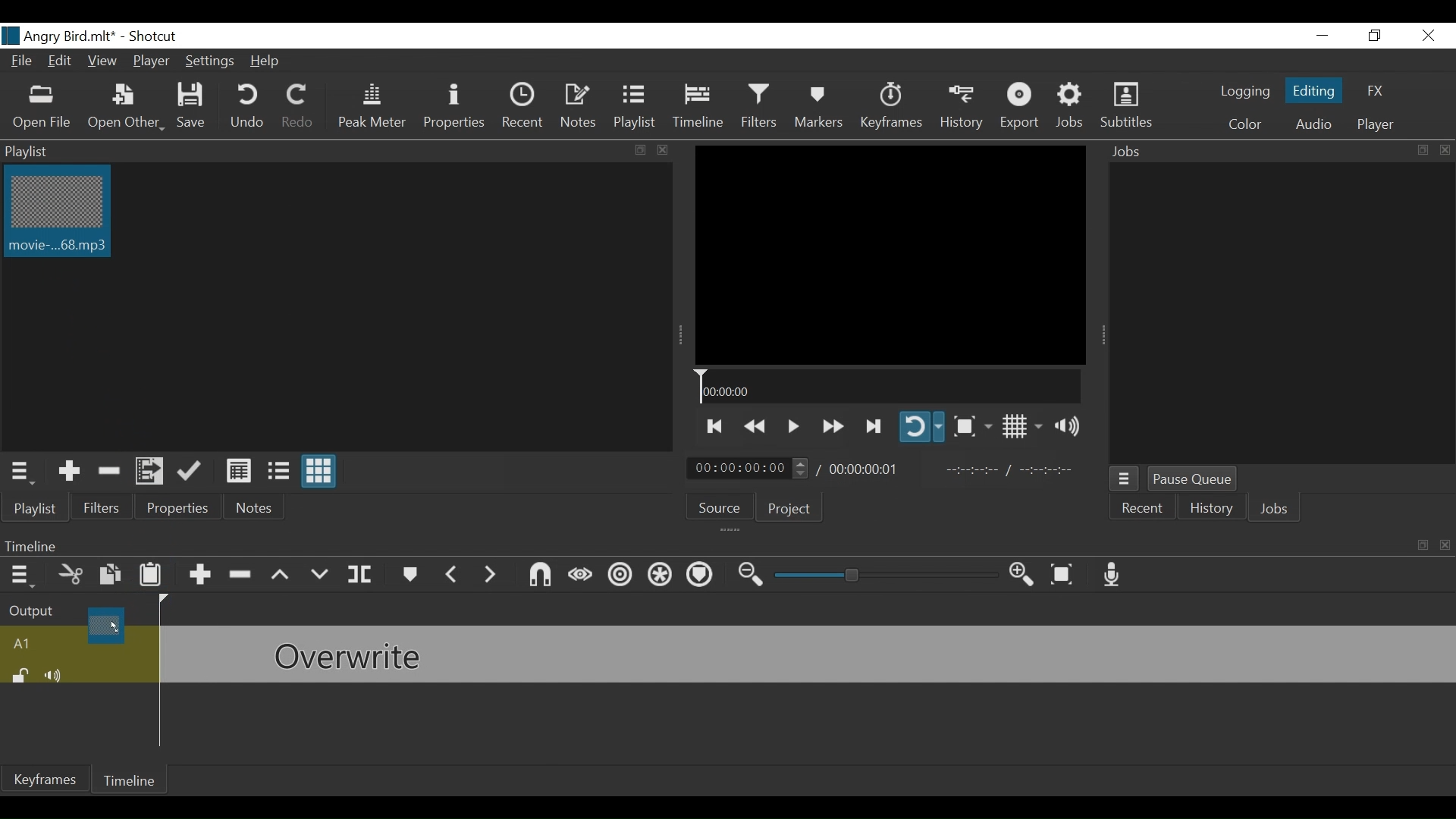  Describe the element at coordinates (792, 423) in the screenshot. I see `Toggle play or pause (space)` at that location.